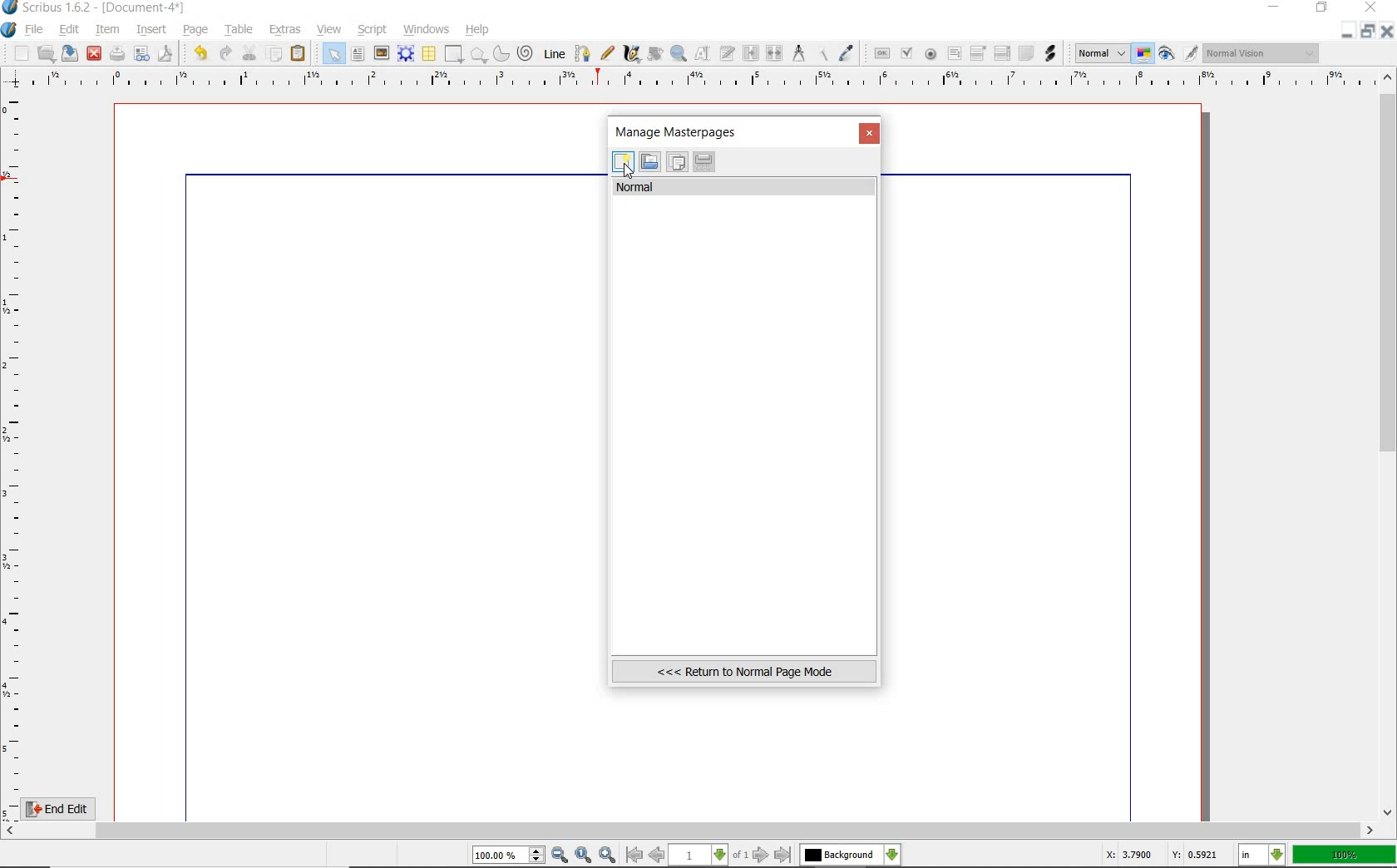 This screenshot has width=1397, height=868. Describe the element at coordinates (775, 54) in the screenshot. I see `unlink text frames` at that location.